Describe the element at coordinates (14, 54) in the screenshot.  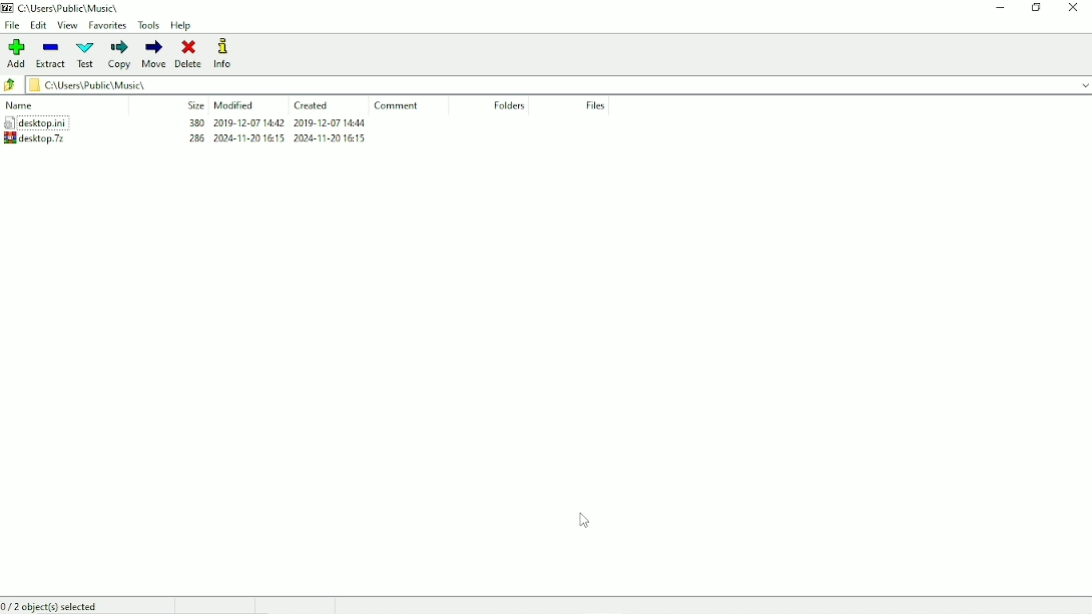
I see `Add` at that location.